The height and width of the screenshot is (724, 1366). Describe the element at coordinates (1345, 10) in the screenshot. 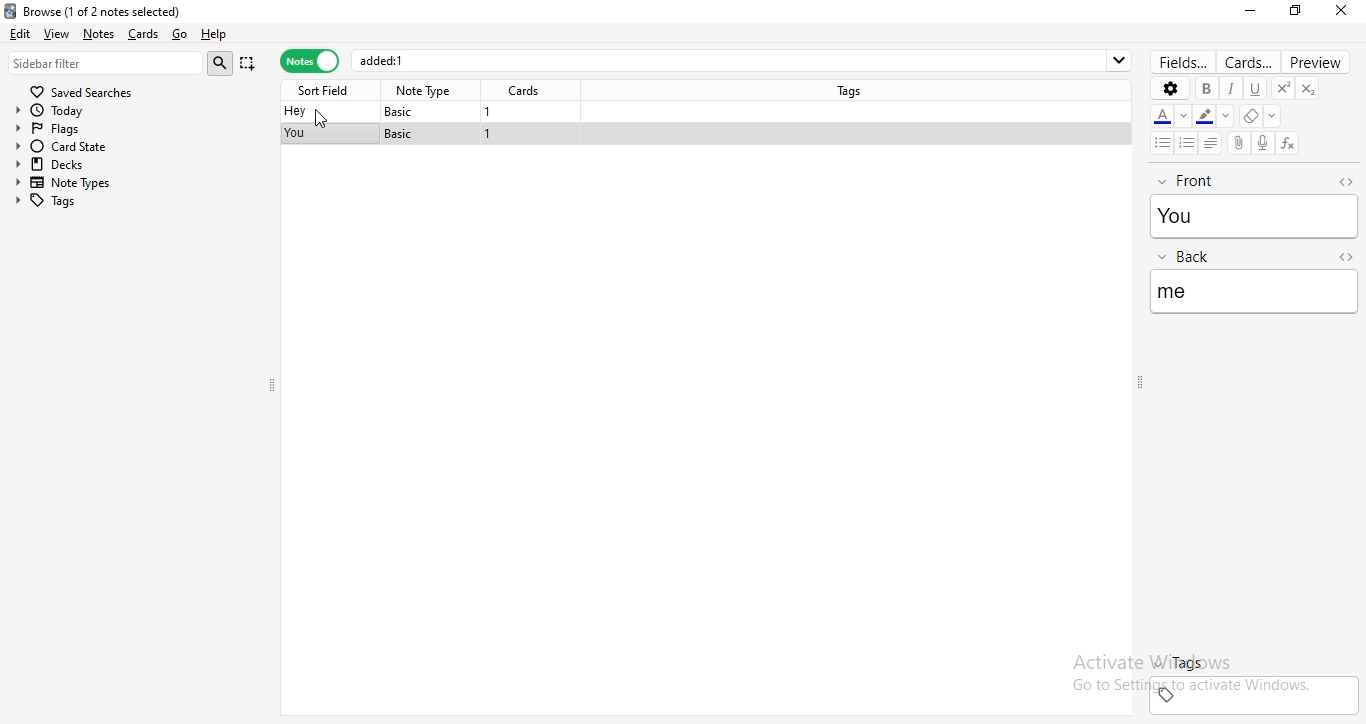

I see `close` at that location.